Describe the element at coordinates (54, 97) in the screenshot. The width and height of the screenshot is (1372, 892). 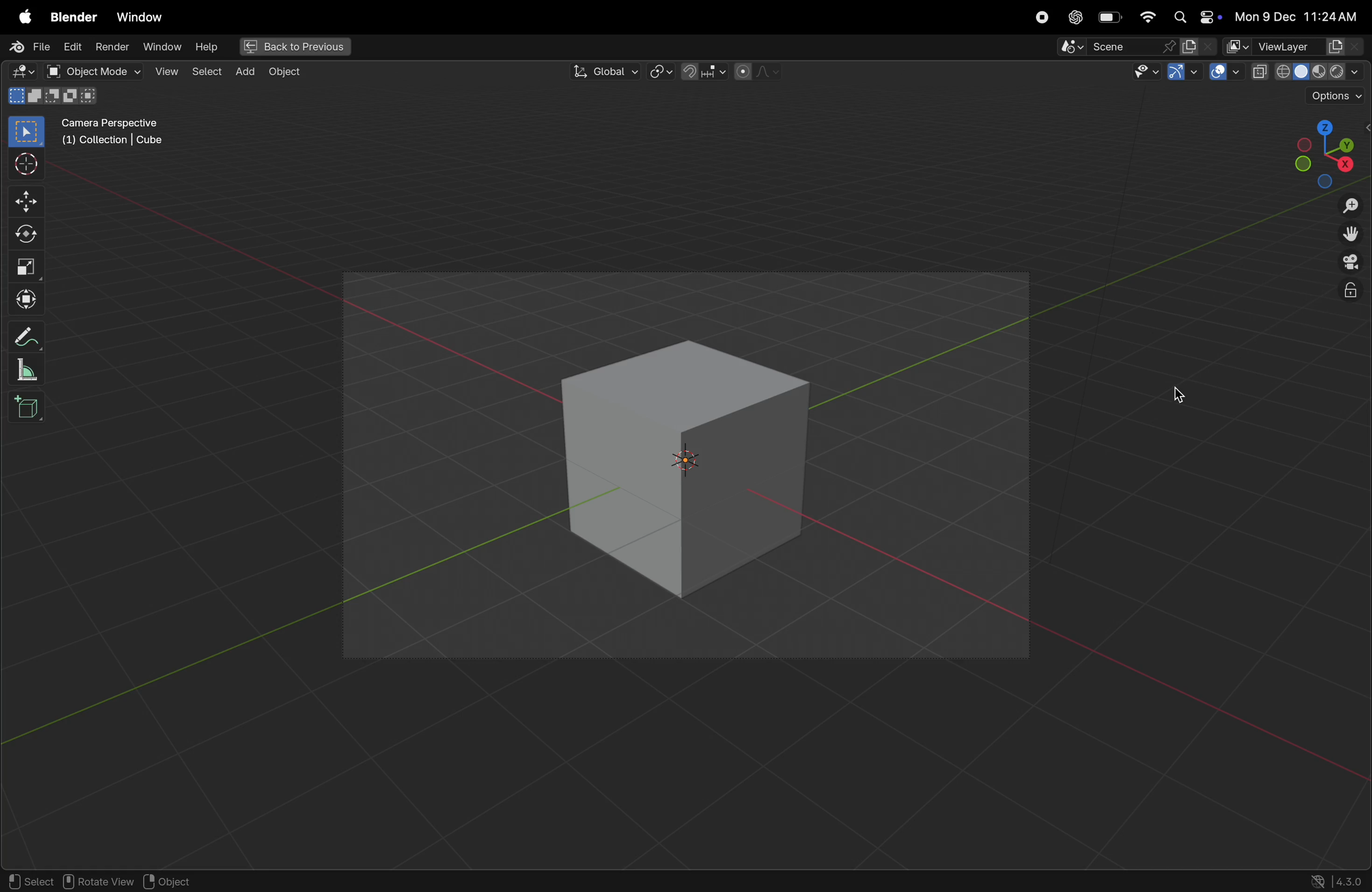
I see `mode` at that location.